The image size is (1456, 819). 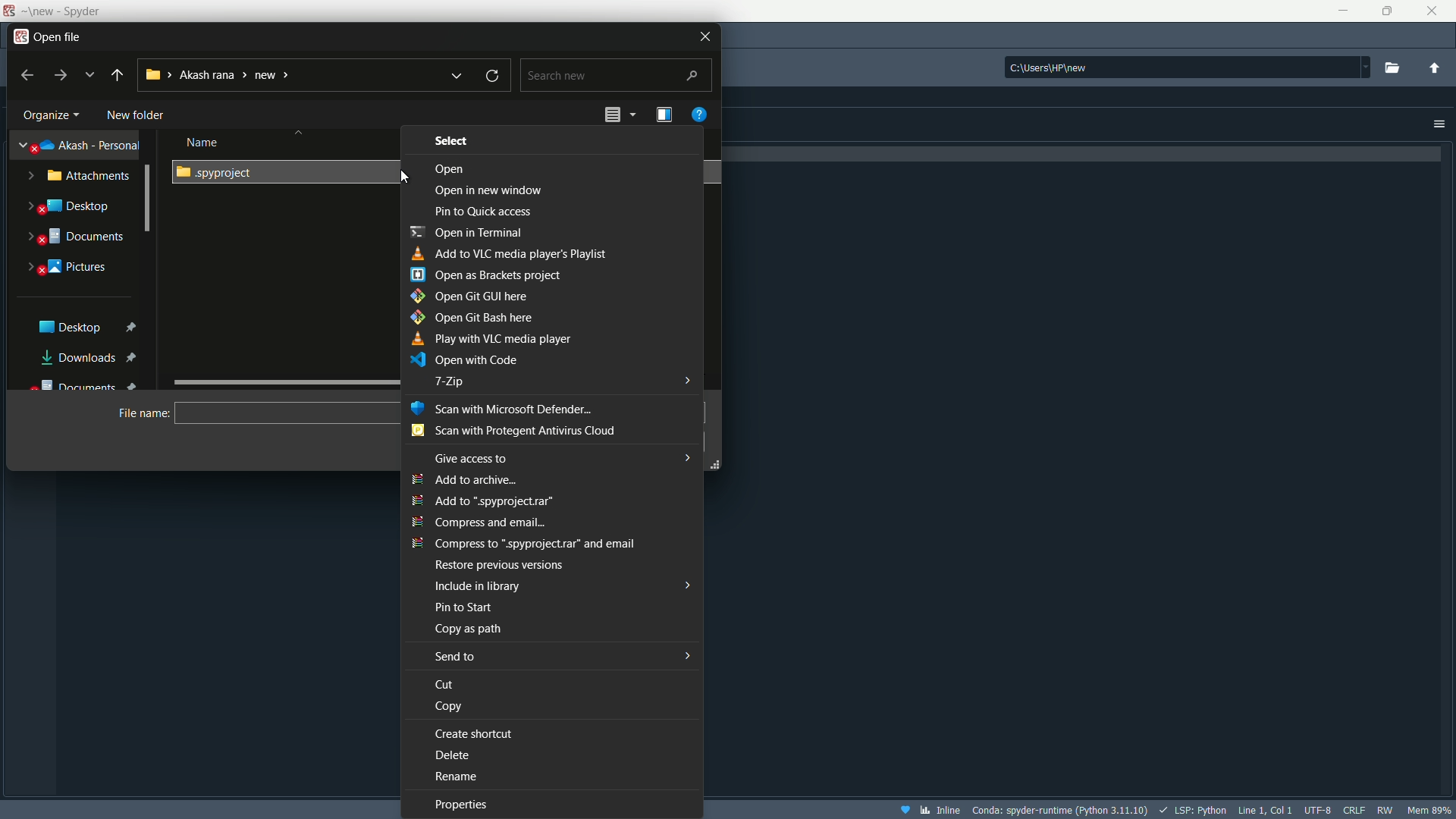 I want to click on memory usage, so click(x=1429, y=811).